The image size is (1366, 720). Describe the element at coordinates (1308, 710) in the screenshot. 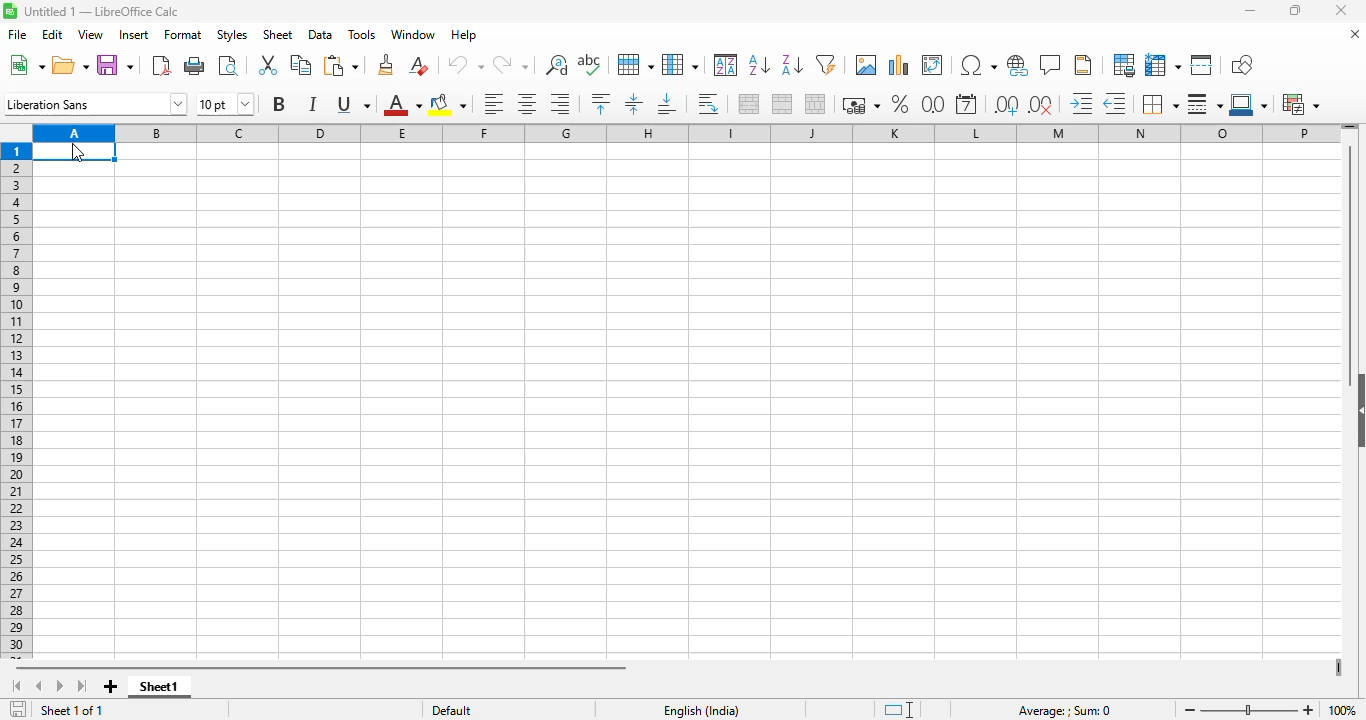

I see `zoom in` at that location.